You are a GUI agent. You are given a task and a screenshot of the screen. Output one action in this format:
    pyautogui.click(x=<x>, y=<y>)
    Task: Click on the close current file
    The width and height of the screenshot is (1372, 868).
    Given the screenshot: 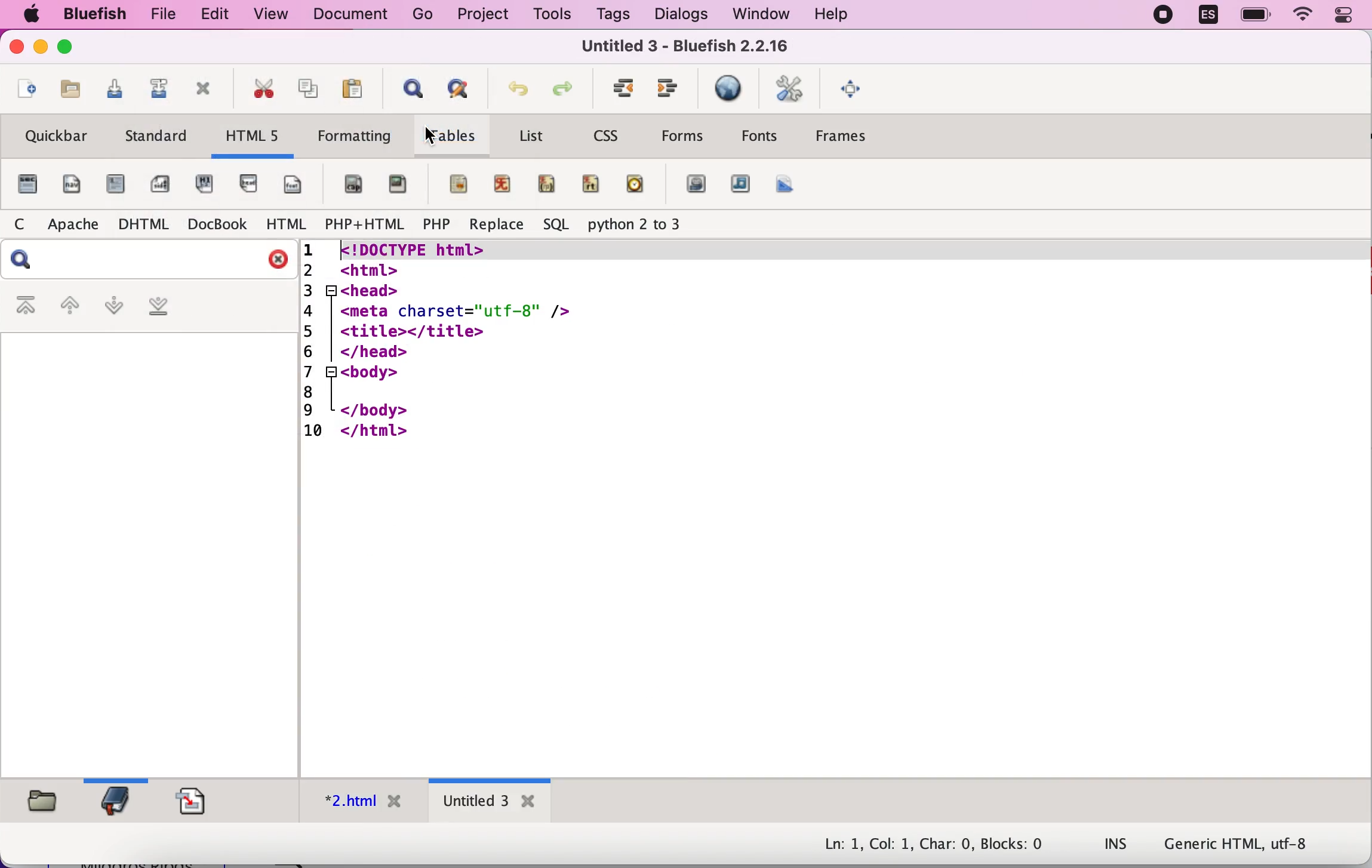 What is the action you would take?
    pyautogui.click(x=202, y=91)
    